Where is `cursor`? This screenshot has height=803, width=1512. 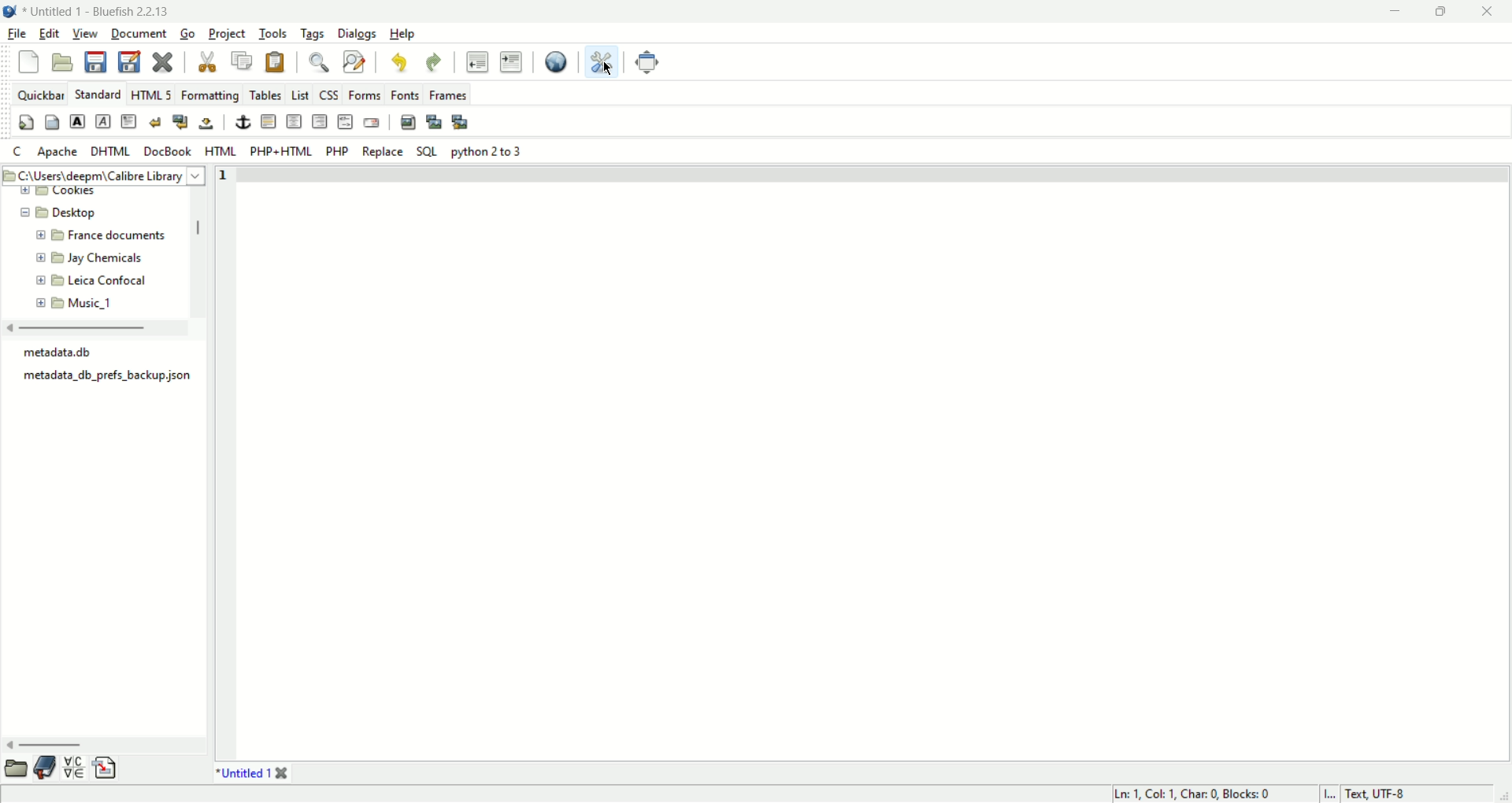 cursor is located at coordinates (609, 69).